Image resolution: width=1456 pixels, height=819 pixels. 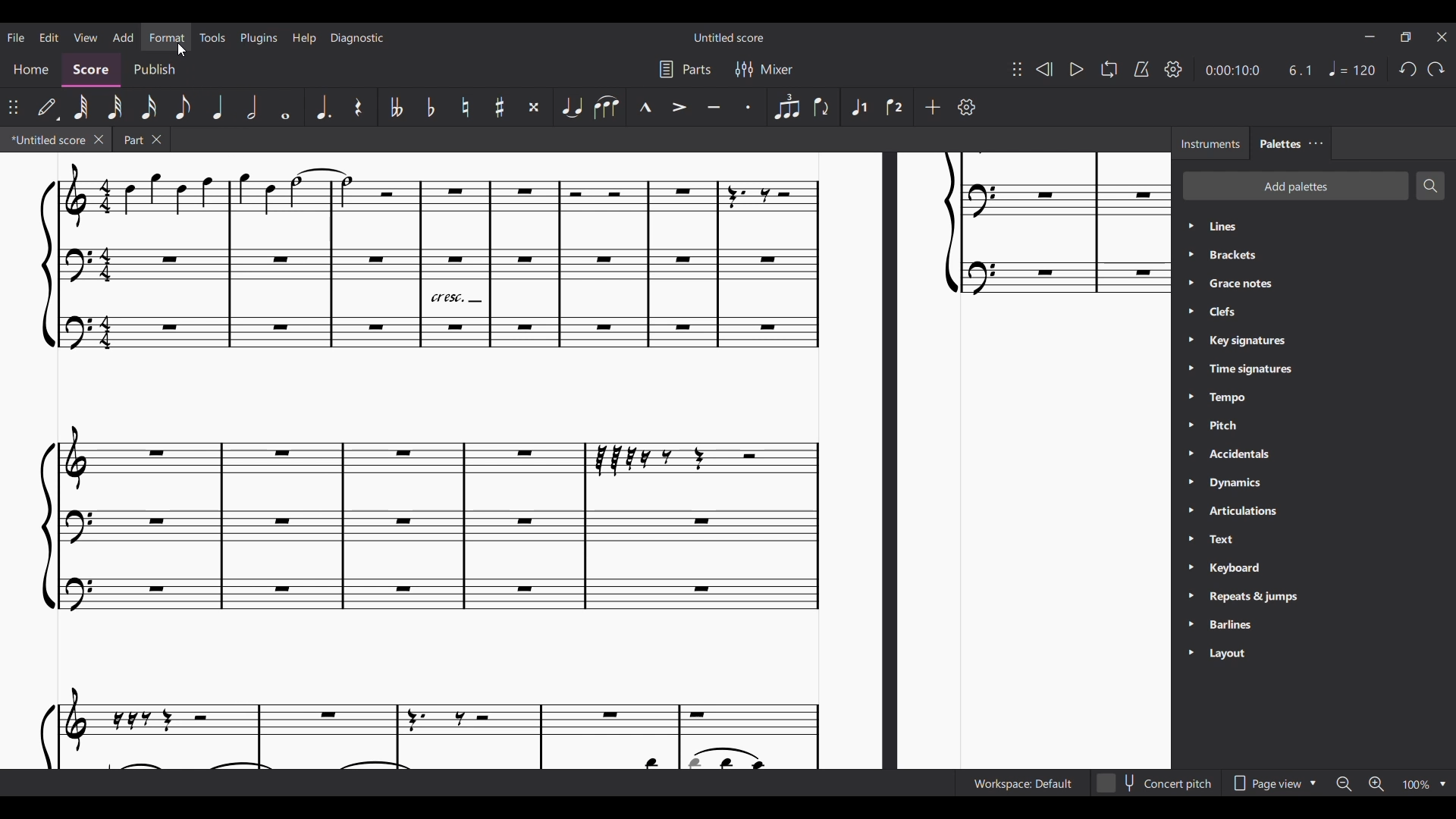 What do you see at coordinates (933, 108) in the screenshot?
I see `Add` at bounding box center [933, 108].